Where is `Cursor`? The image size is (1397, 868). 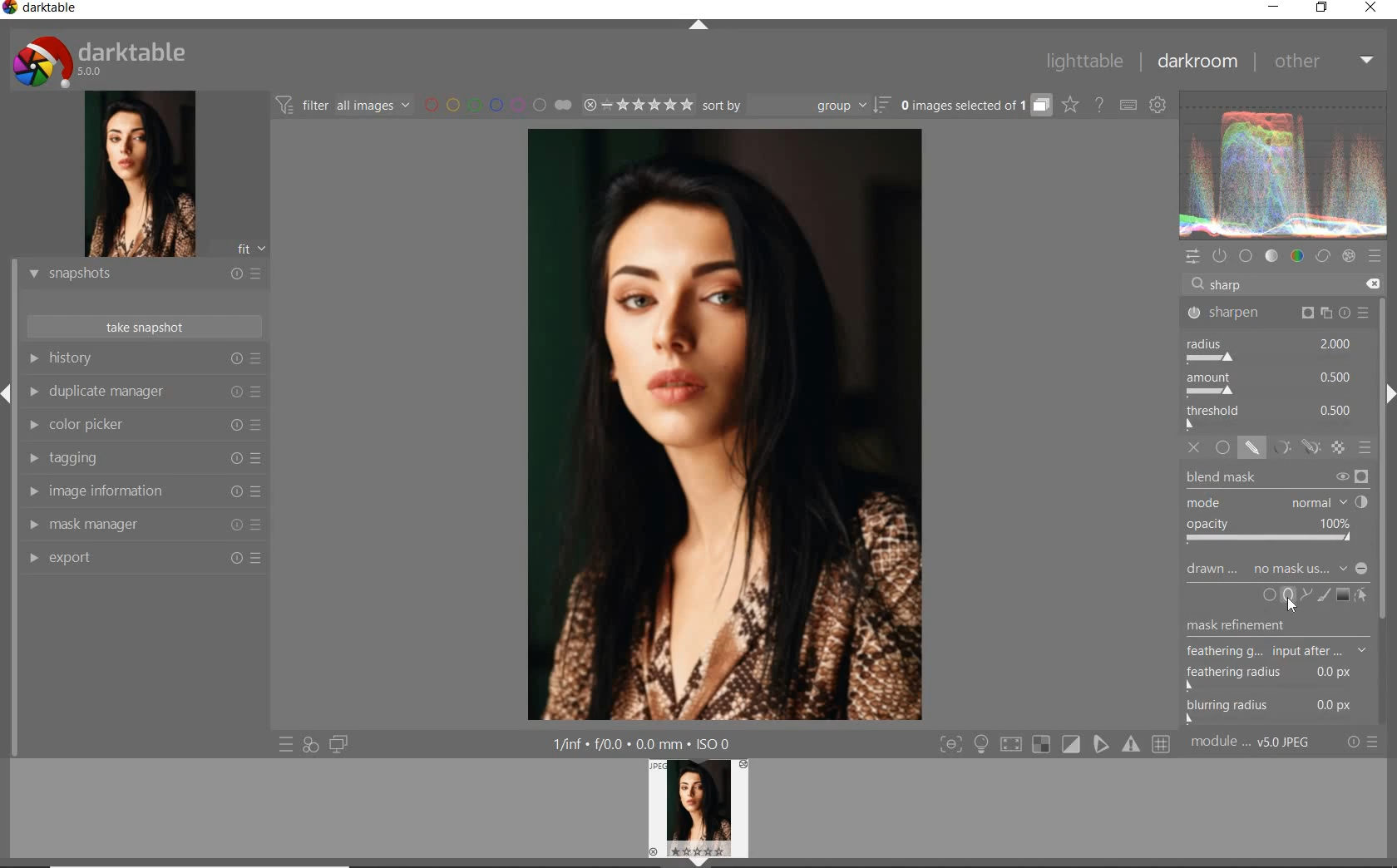 Cursor is located at coordinates (1296, 604).